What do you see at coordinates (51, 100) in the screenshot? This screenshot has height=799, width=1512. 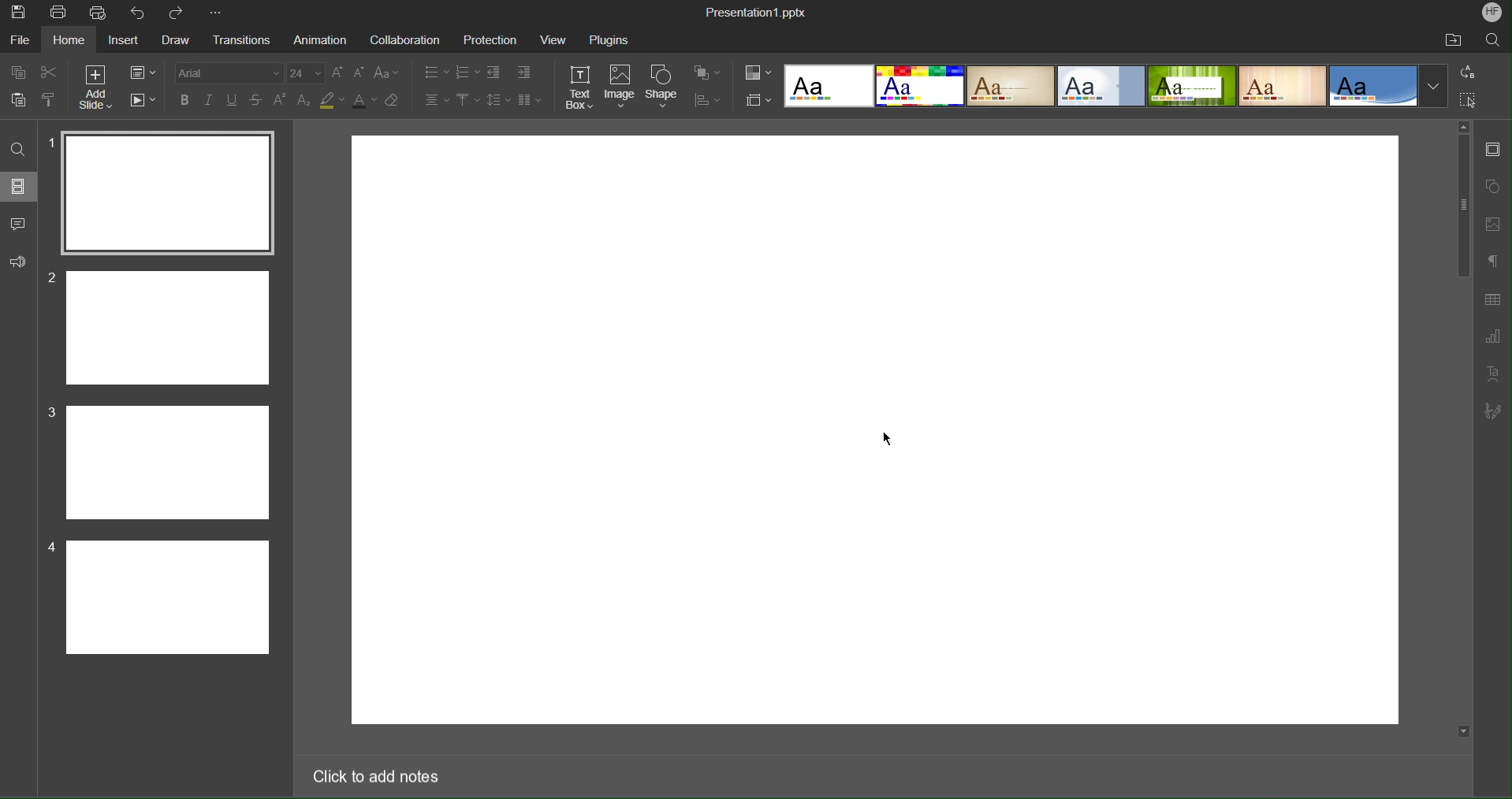 I see `clone formatting` at bounding box center [51, 100].